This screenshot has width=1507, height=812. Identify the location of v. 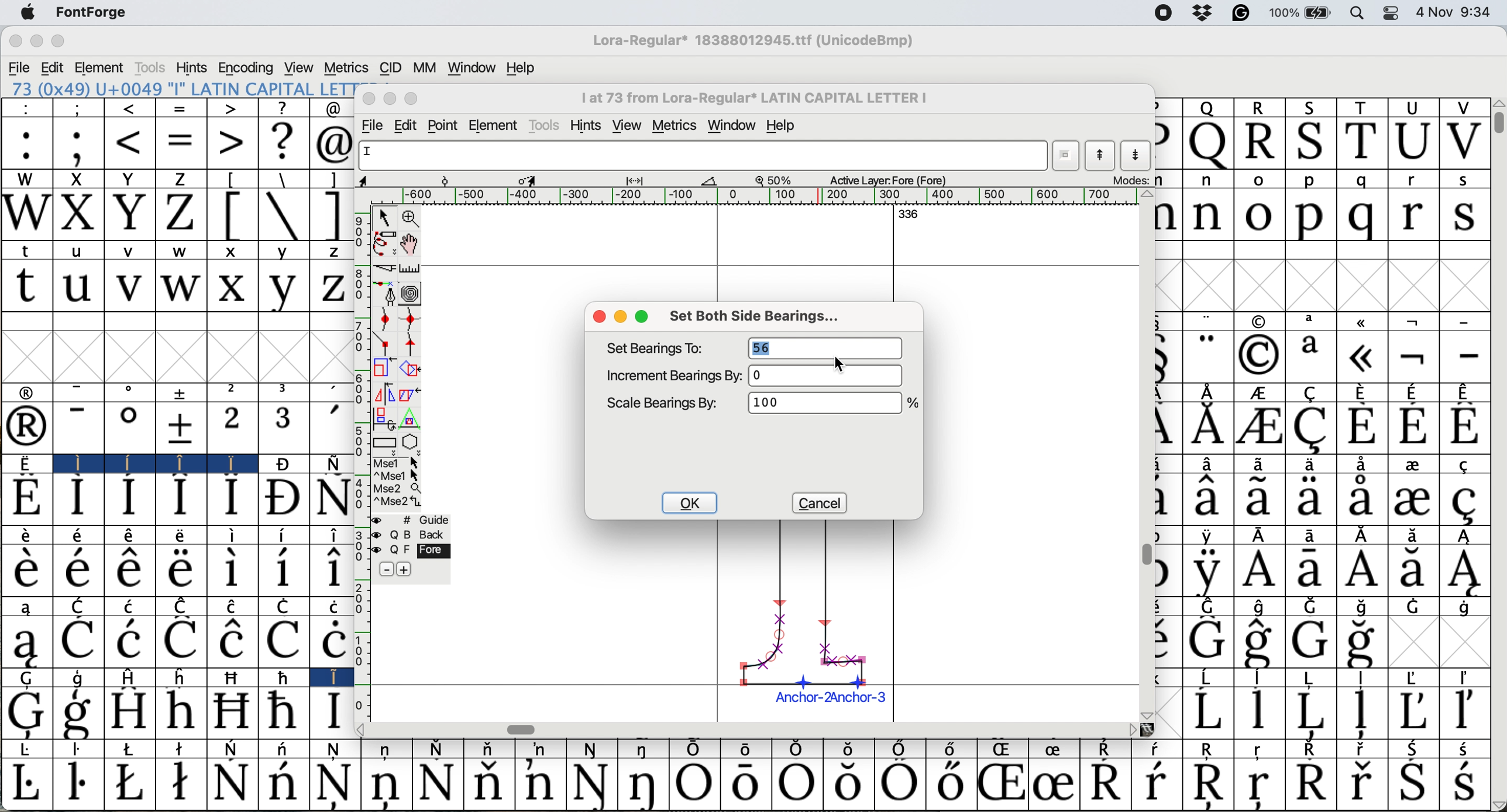
(129, 287).